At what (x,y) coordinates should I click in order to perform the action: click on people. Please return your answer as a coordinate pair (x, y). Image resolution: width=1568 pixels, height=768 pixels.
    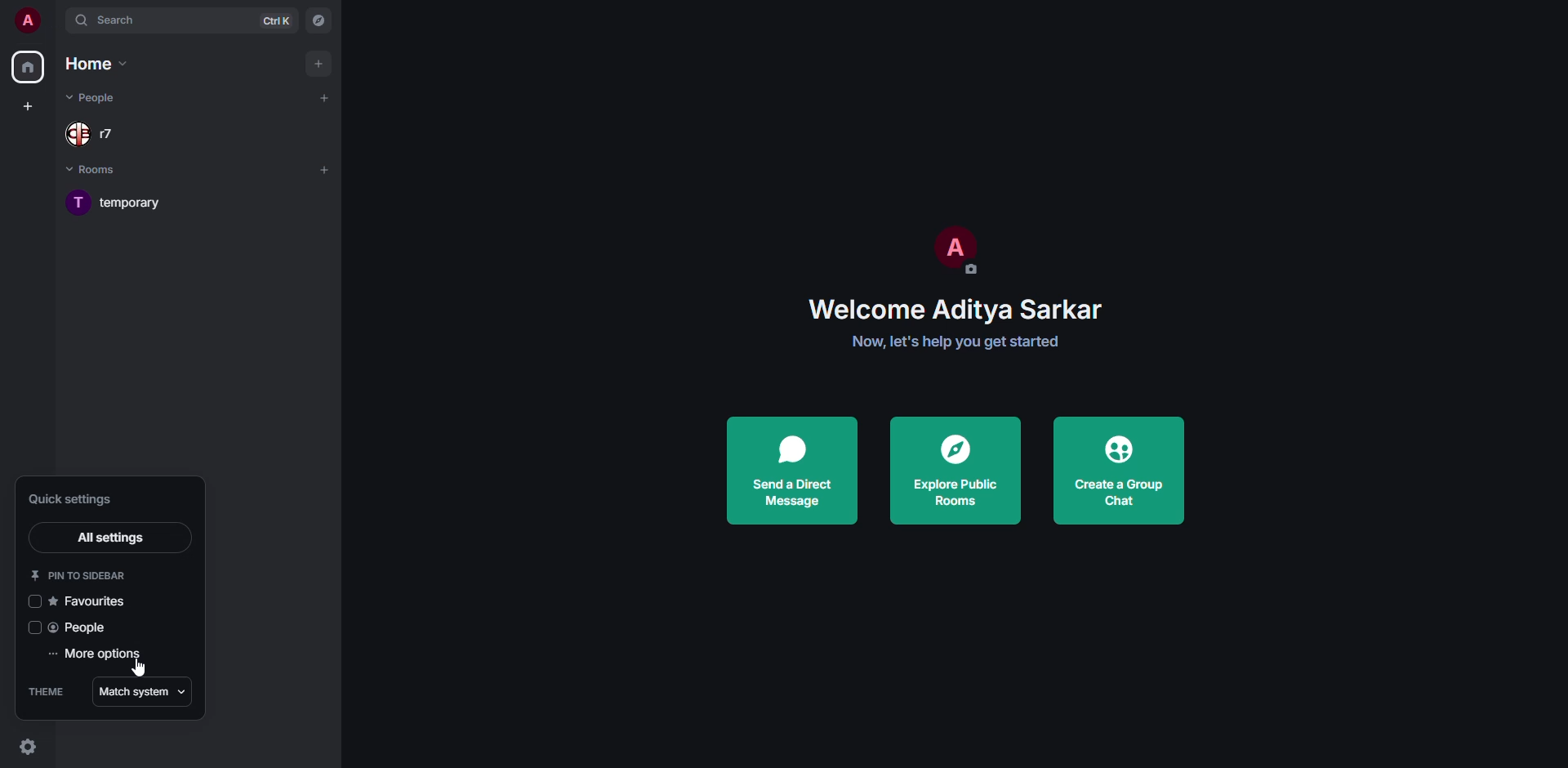
    Looking at the image, I should click on (80, 630).